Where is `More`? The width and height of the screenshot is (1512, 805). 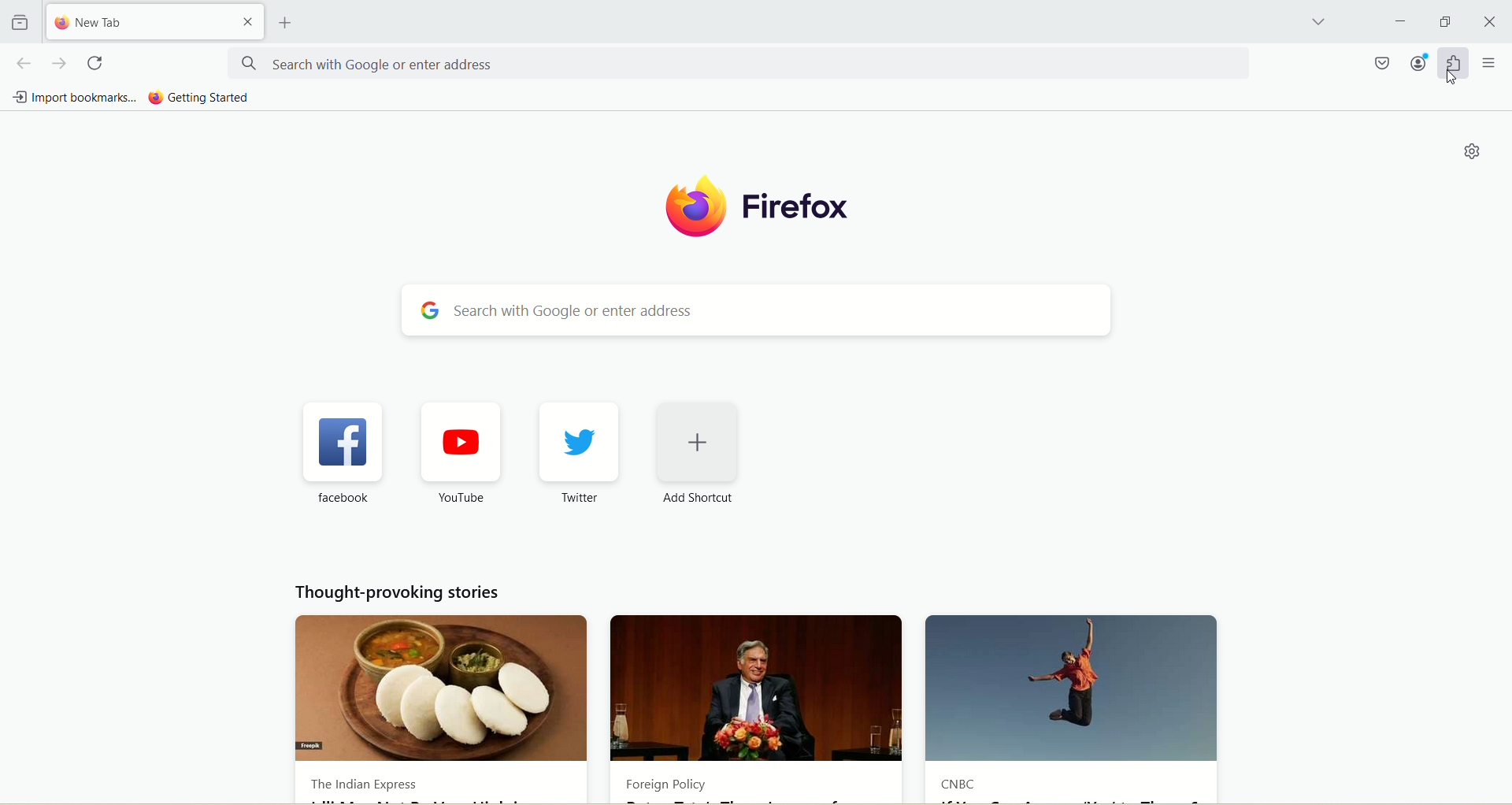 More is located at coordinates (1490, 62).